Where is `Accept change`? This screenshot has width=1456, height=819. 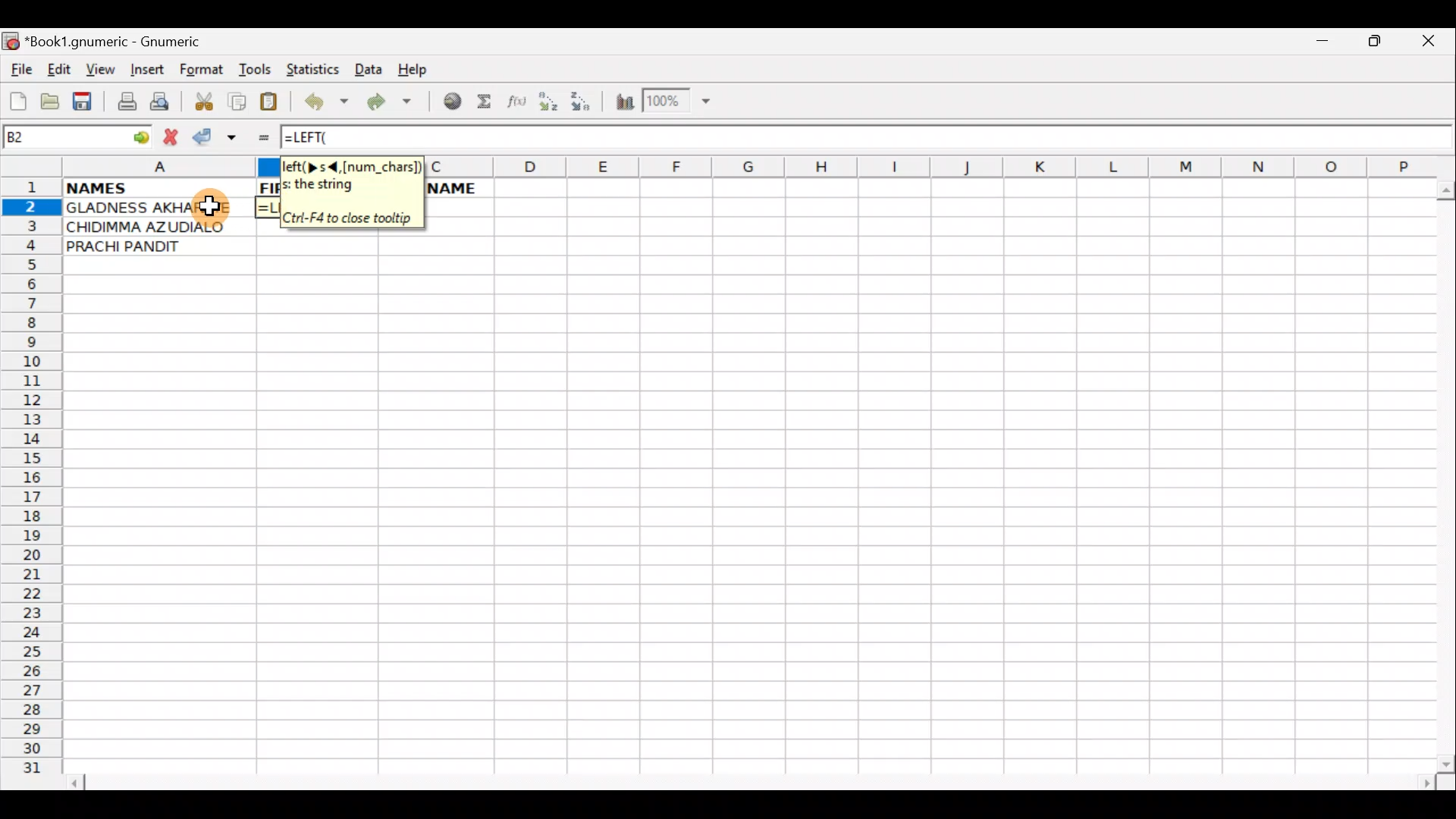 Accept change is located at coordinates (215, 137).